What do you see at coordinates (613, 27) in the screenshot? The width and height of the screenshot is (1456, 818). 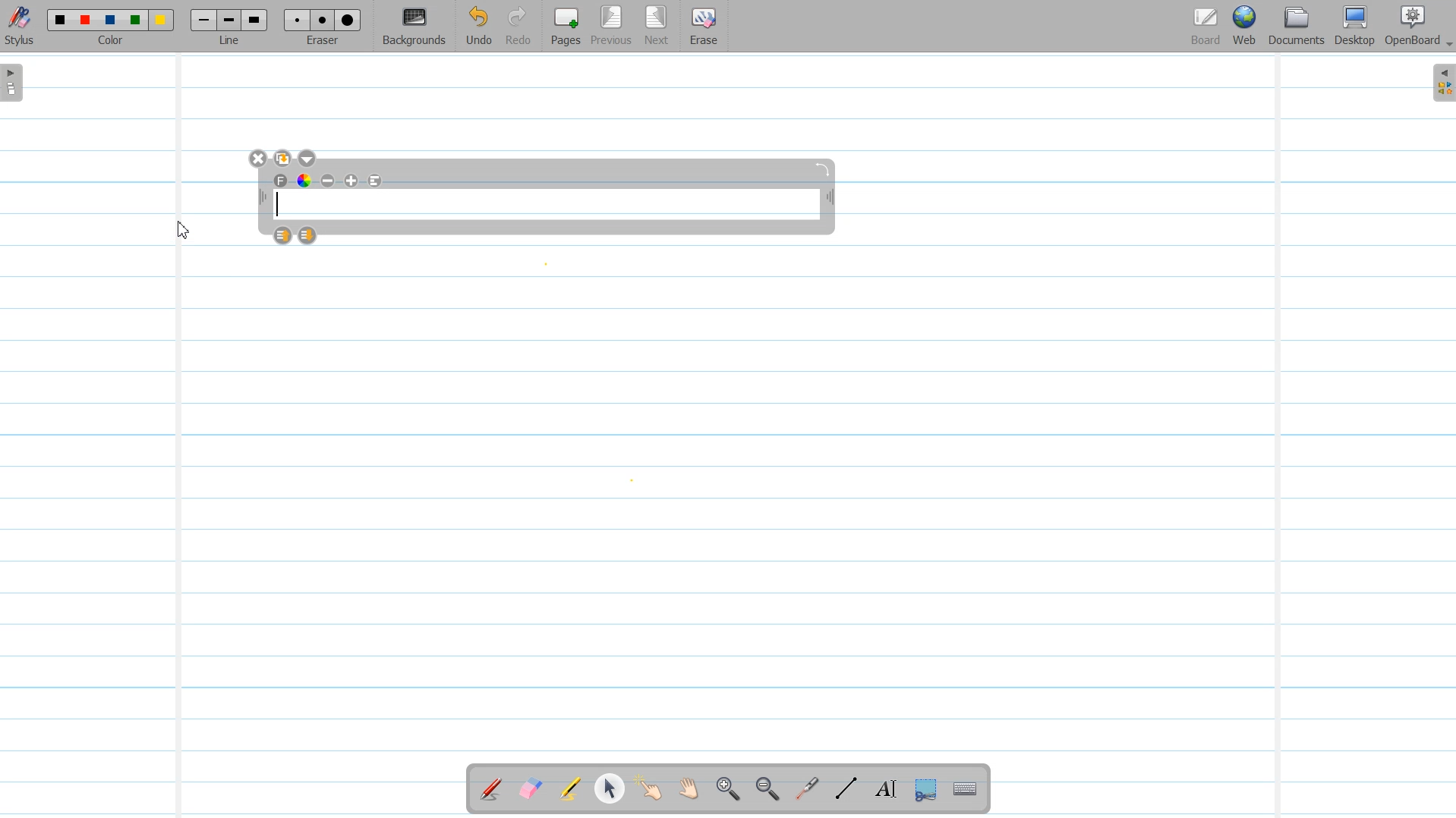 I see `Previous` at bounding box center [613, 27].